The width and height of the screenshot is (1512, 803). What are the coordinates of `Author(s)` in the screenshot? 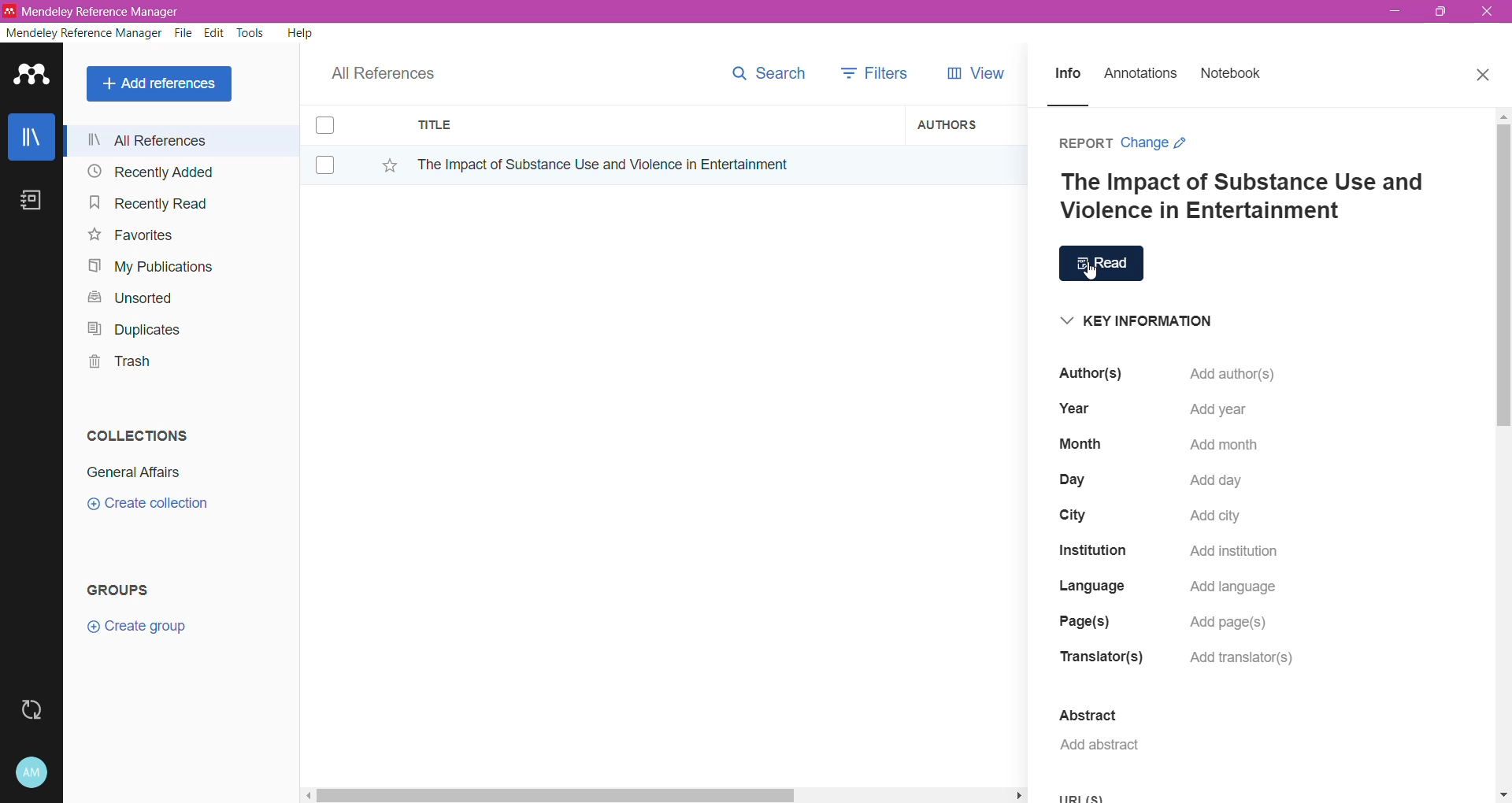 It's located at (1090, 372).